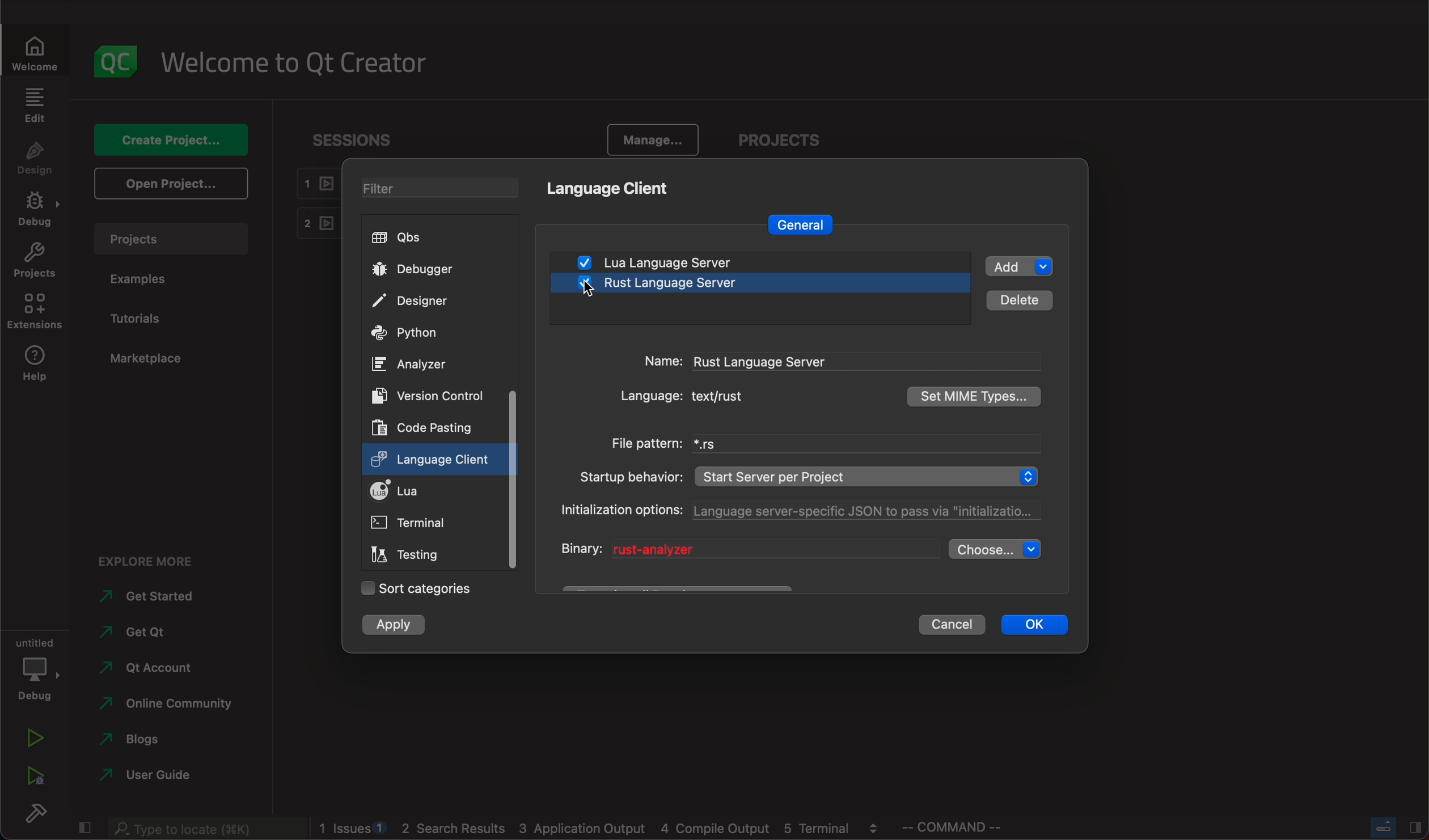 This screenshot has height=840, width=1429. What do you see at coordinates (591, 292) in the screenshot?
I see `on keyup` at bounding box center [591, 292].